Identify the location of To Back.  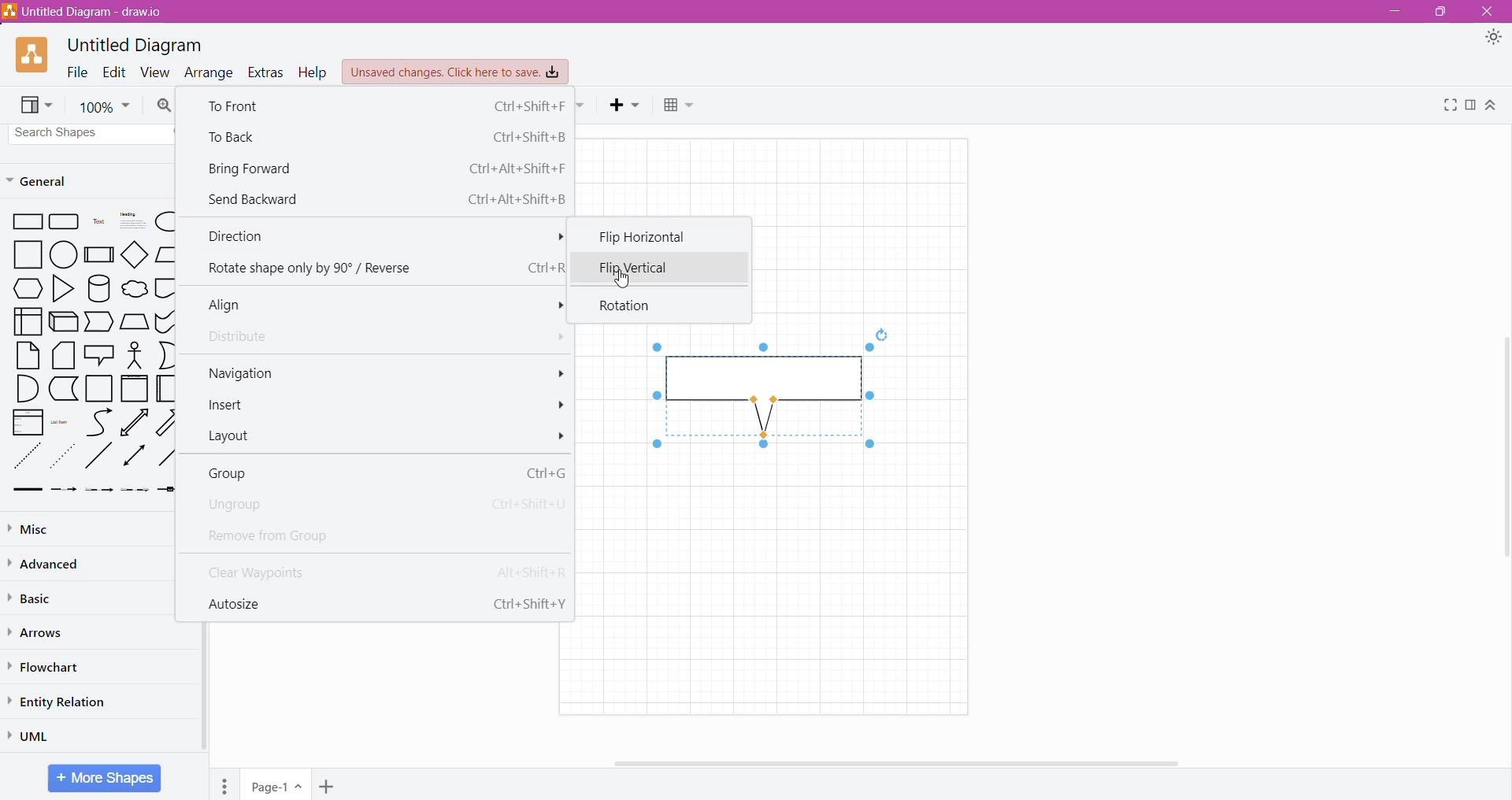
(384, 136).